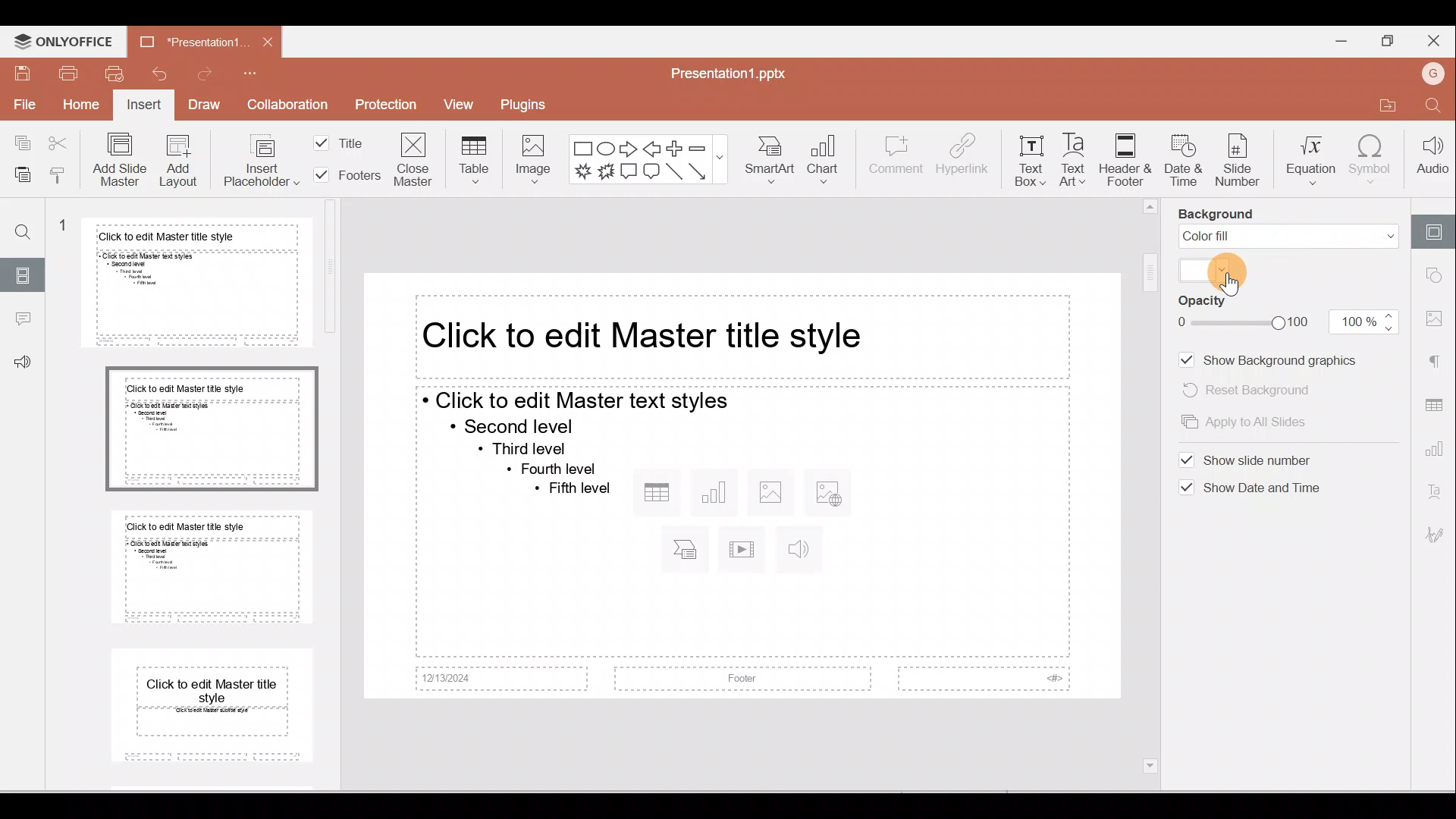  Describe the element at coordinates (246, 160) in the screenshot. I see `Insert placeholder` at that location.